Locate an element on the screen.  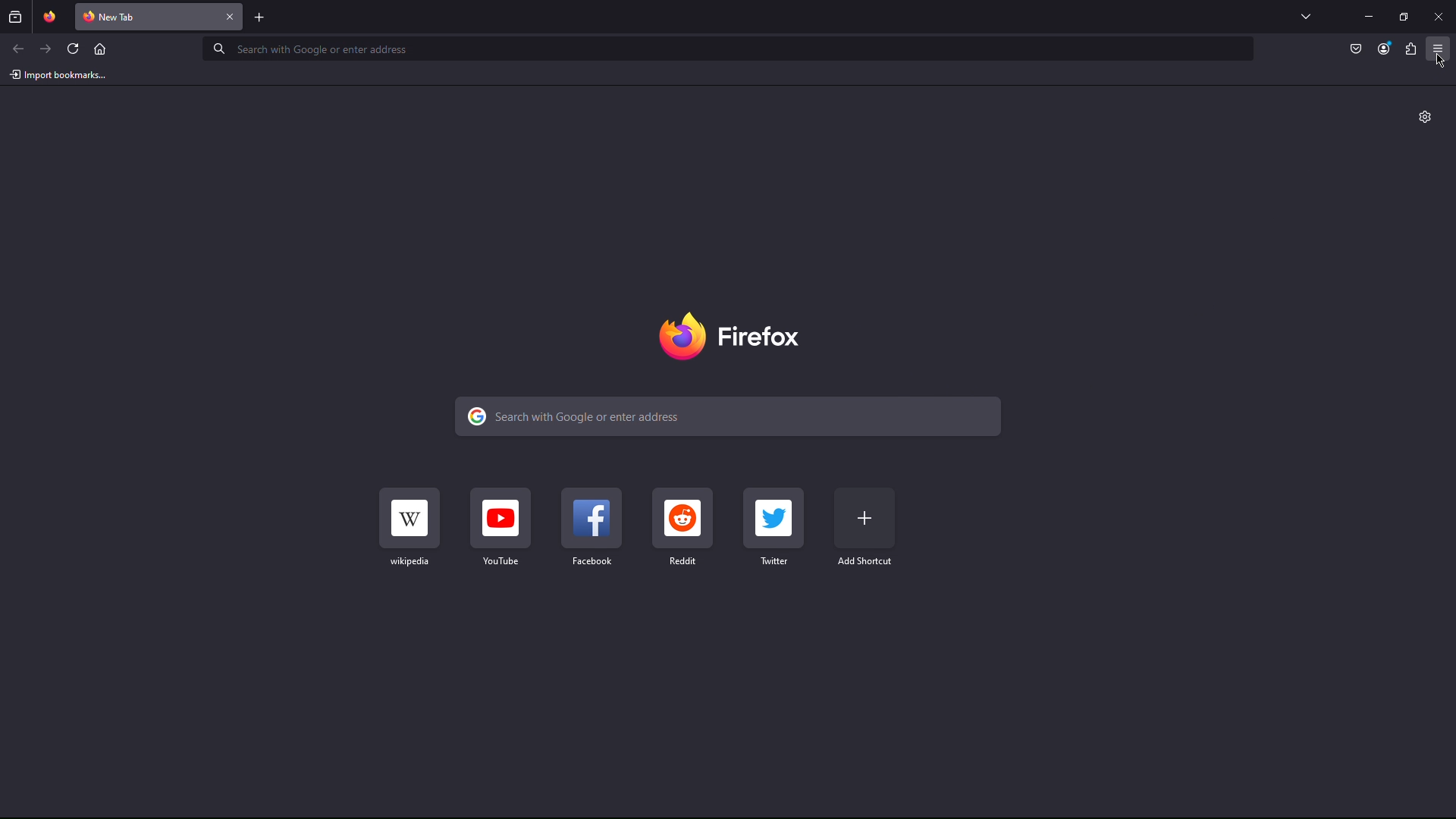
Next is located at coordinates (46, 49).